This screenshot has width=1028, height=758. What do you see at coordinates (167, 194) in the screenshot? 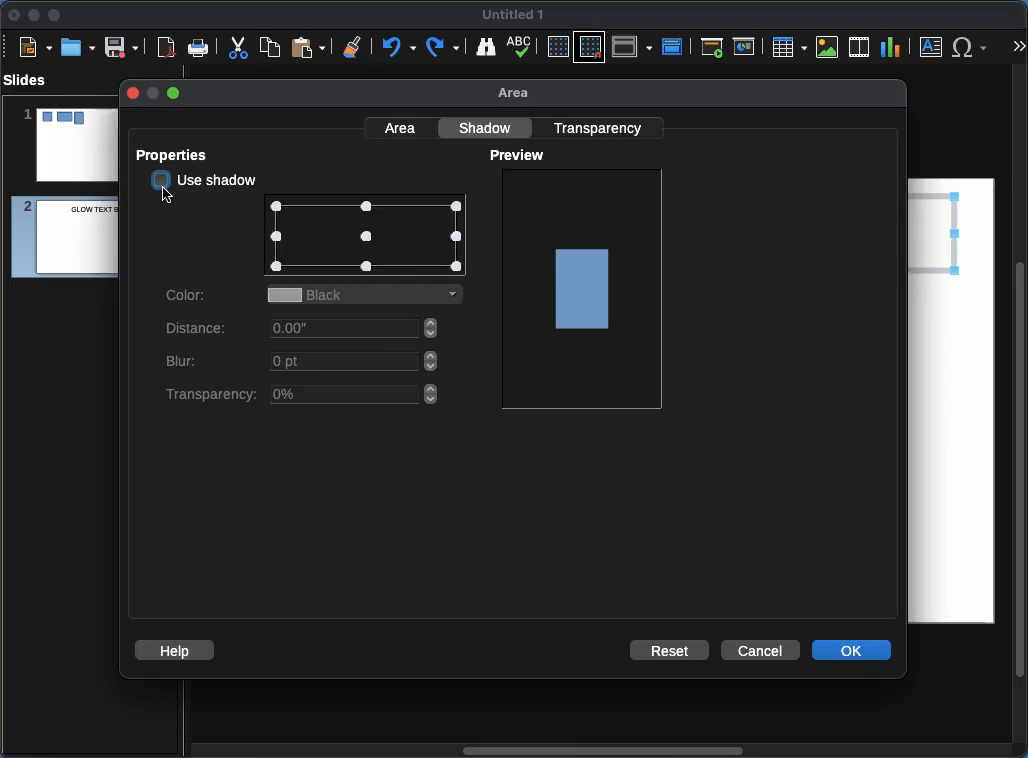
I see `cursor` at bounding box center [167, 194].